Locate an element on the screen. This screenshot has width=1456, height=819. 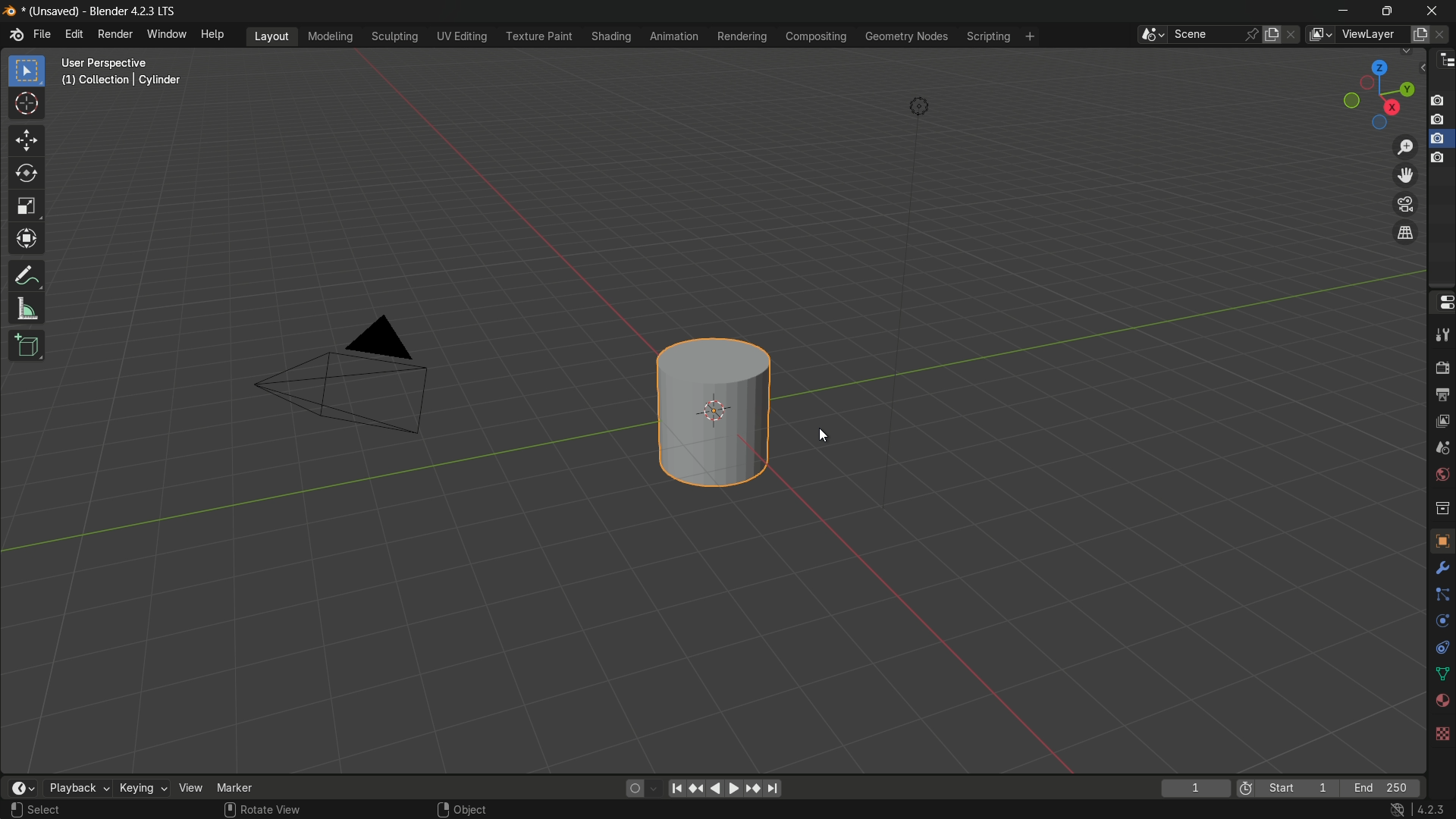
render menu is located at coordinates (115, 34).